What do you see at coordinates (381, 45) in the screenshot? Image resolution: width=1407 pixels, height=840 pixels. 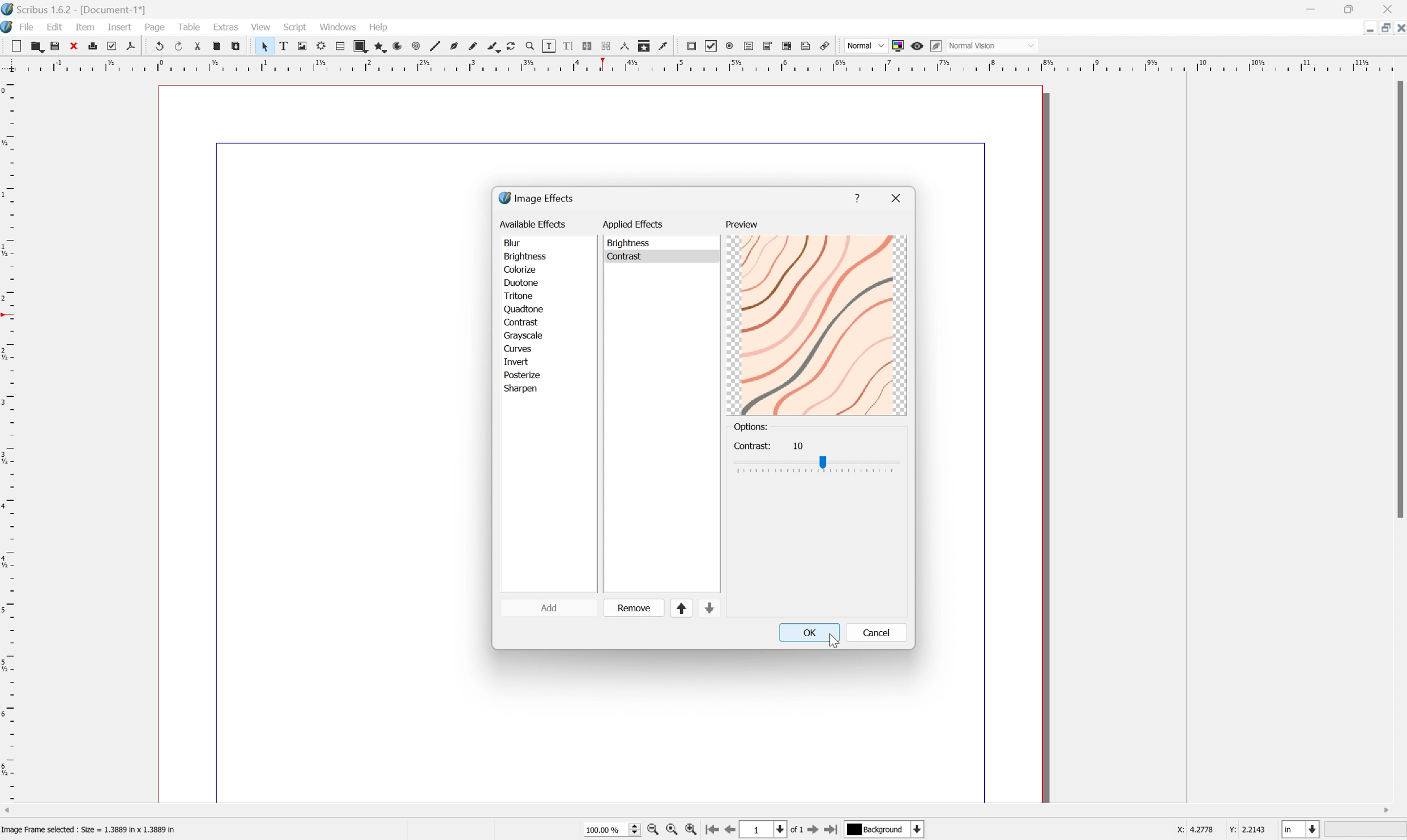 I see `Polygon` at bounding box center [381, 45].